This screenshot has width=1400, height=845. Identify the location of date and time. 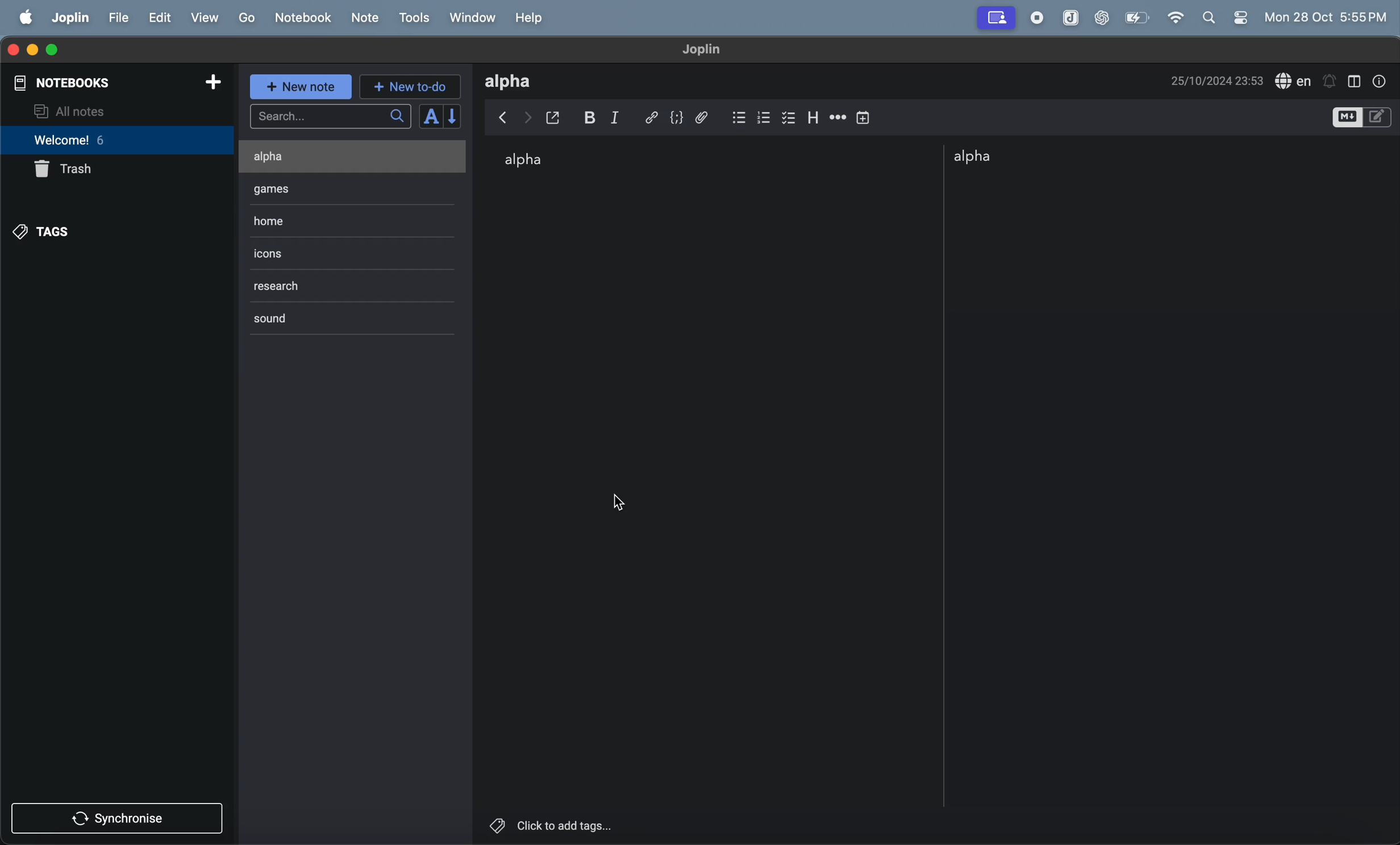
(1218, 80).